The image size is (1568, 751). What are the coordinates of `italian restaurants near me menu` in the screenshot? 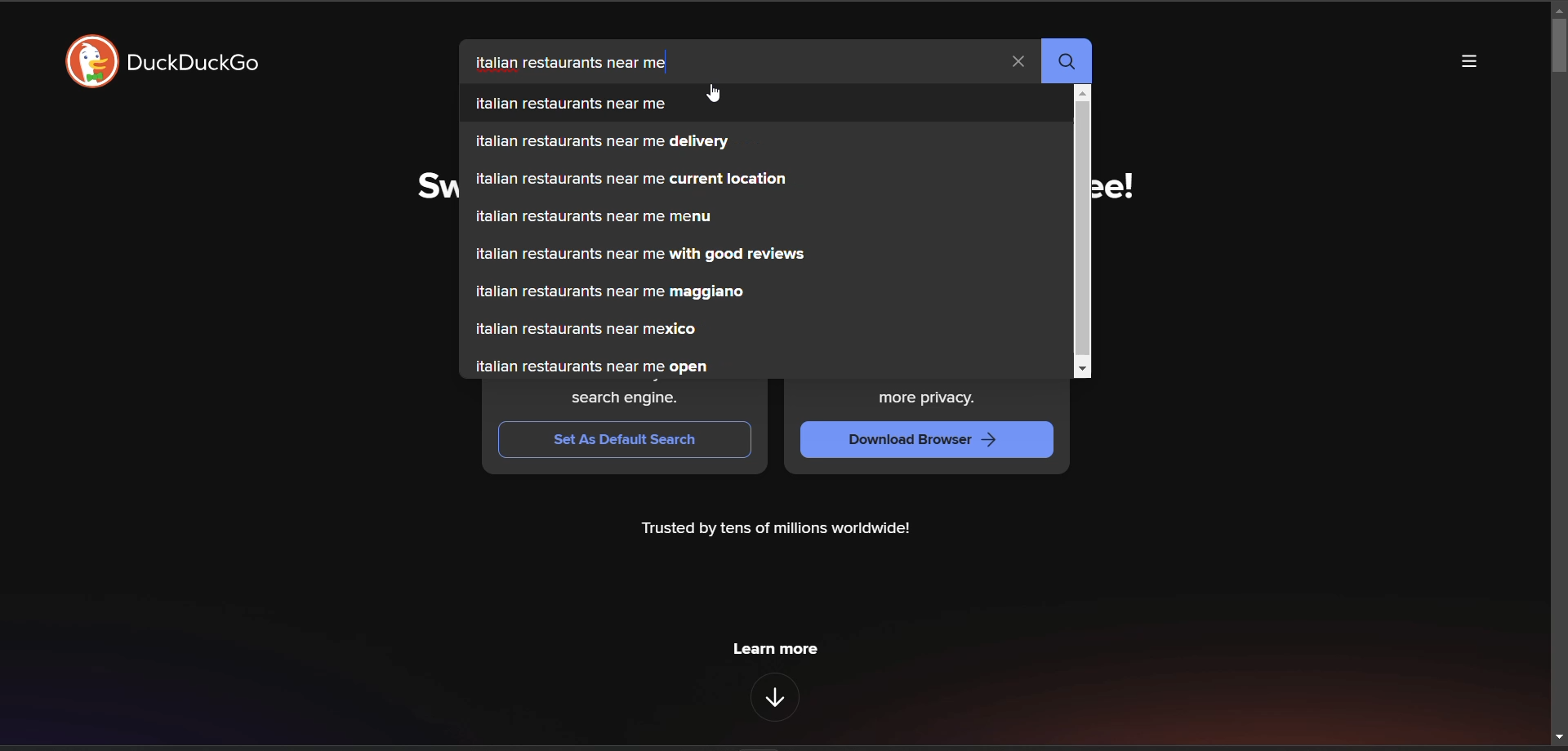 It's located at (764, 216).